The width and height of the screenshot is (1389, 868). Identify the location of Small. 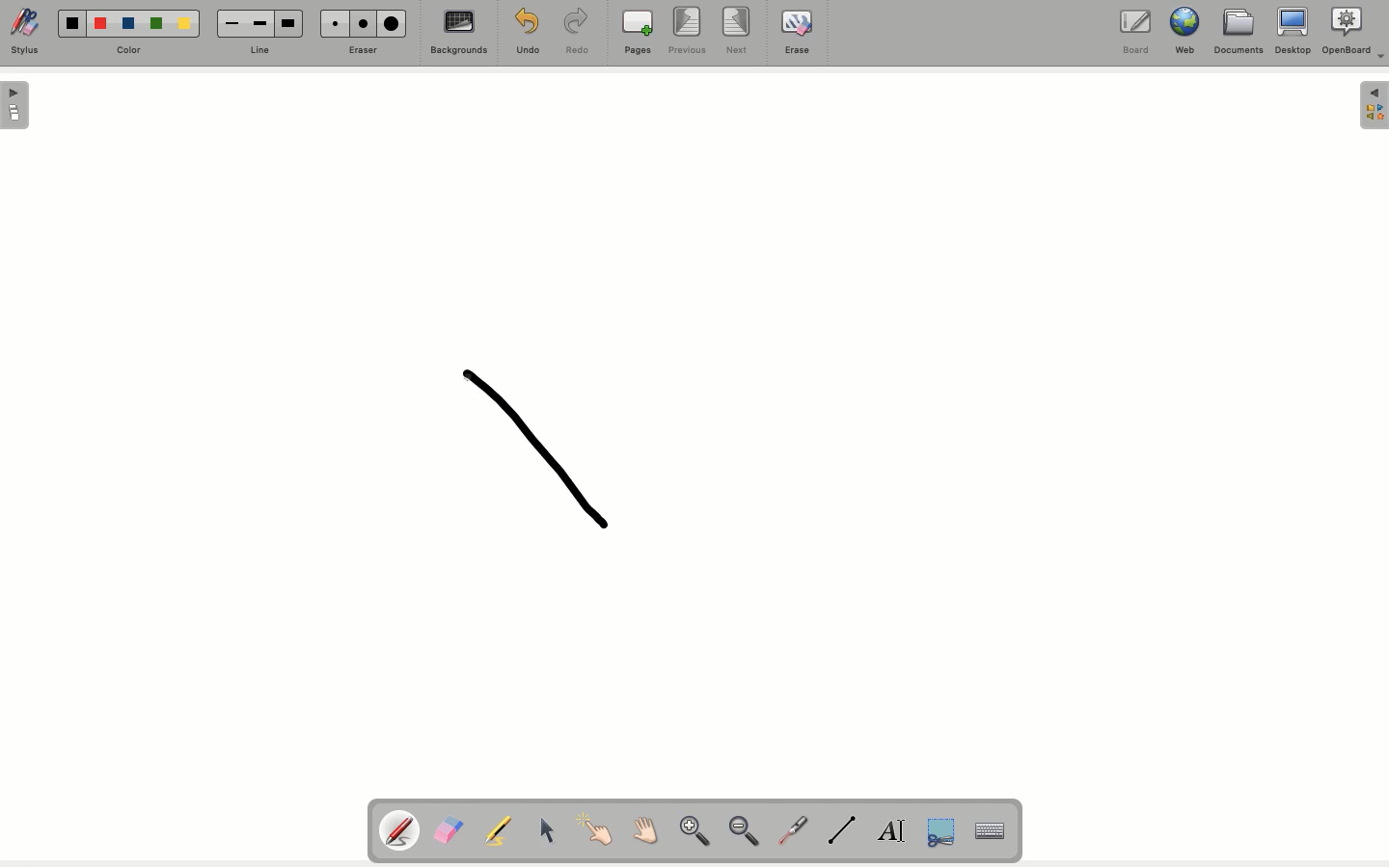
(233, 23).